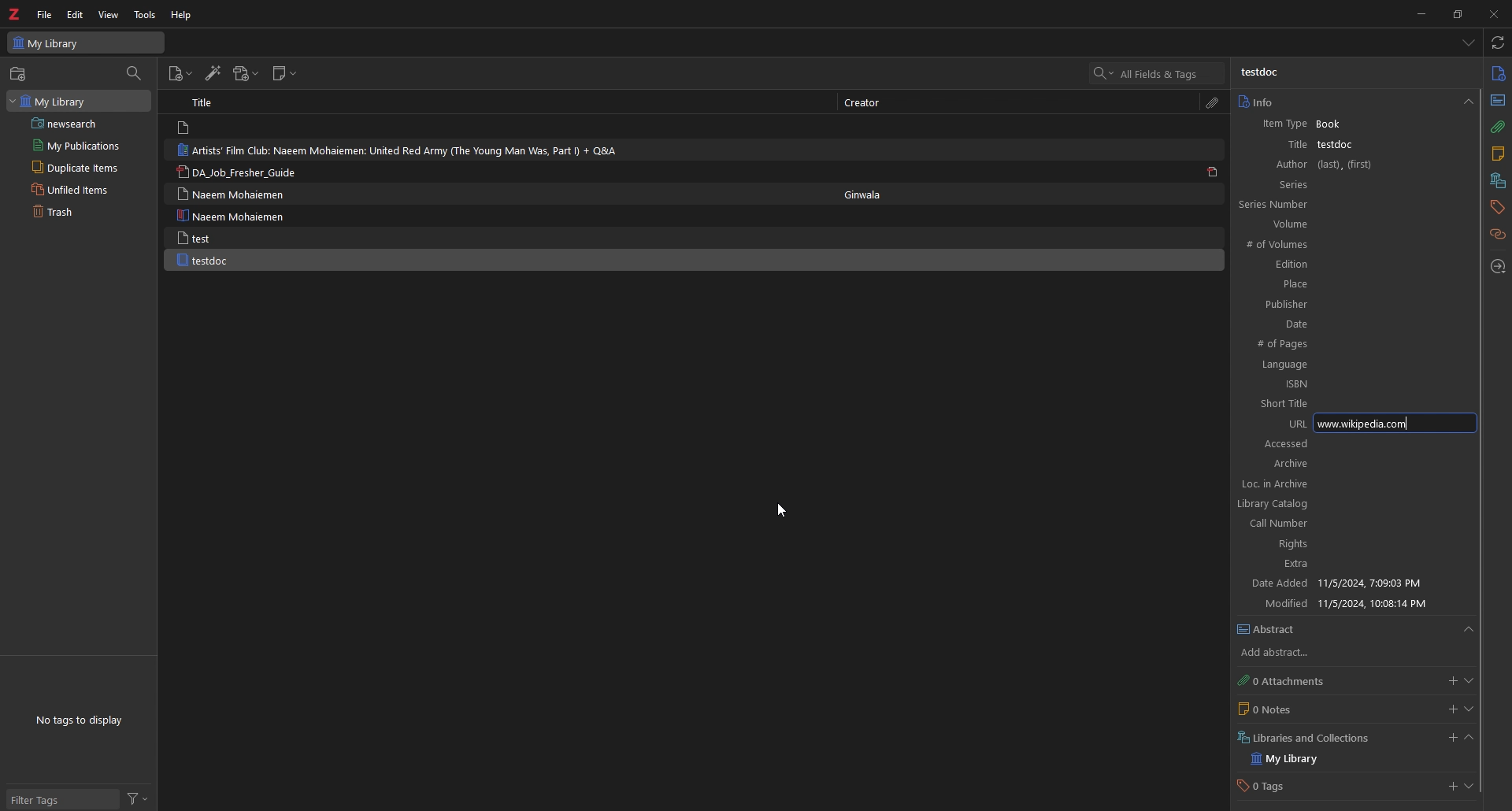 The image size is (1512, 811). Describe the element at coordinates (145, 16) in the screenshot. I see `tools` at that location.